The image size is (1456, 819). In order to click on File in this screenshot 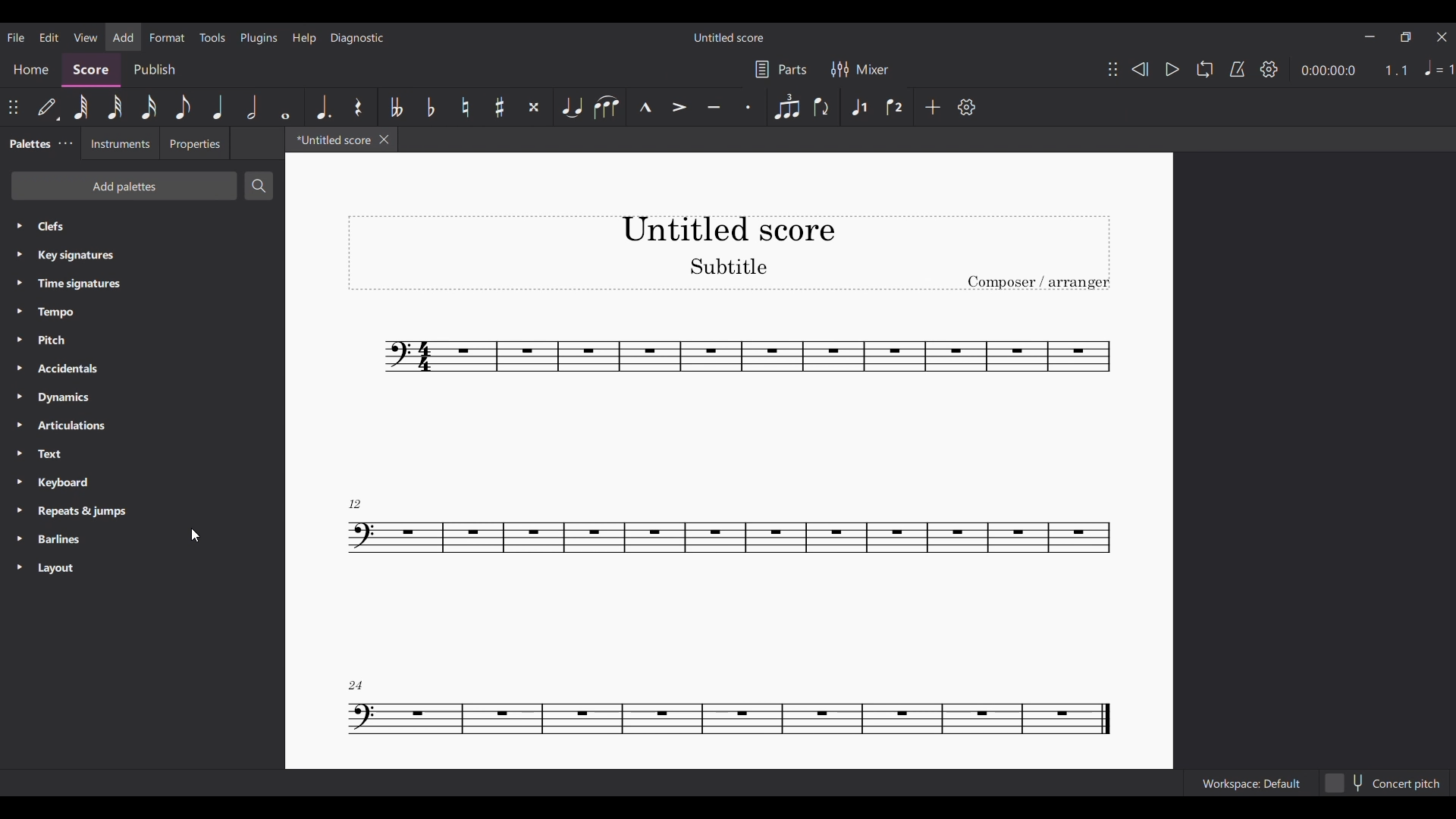, I will do `click(17, 38)`.